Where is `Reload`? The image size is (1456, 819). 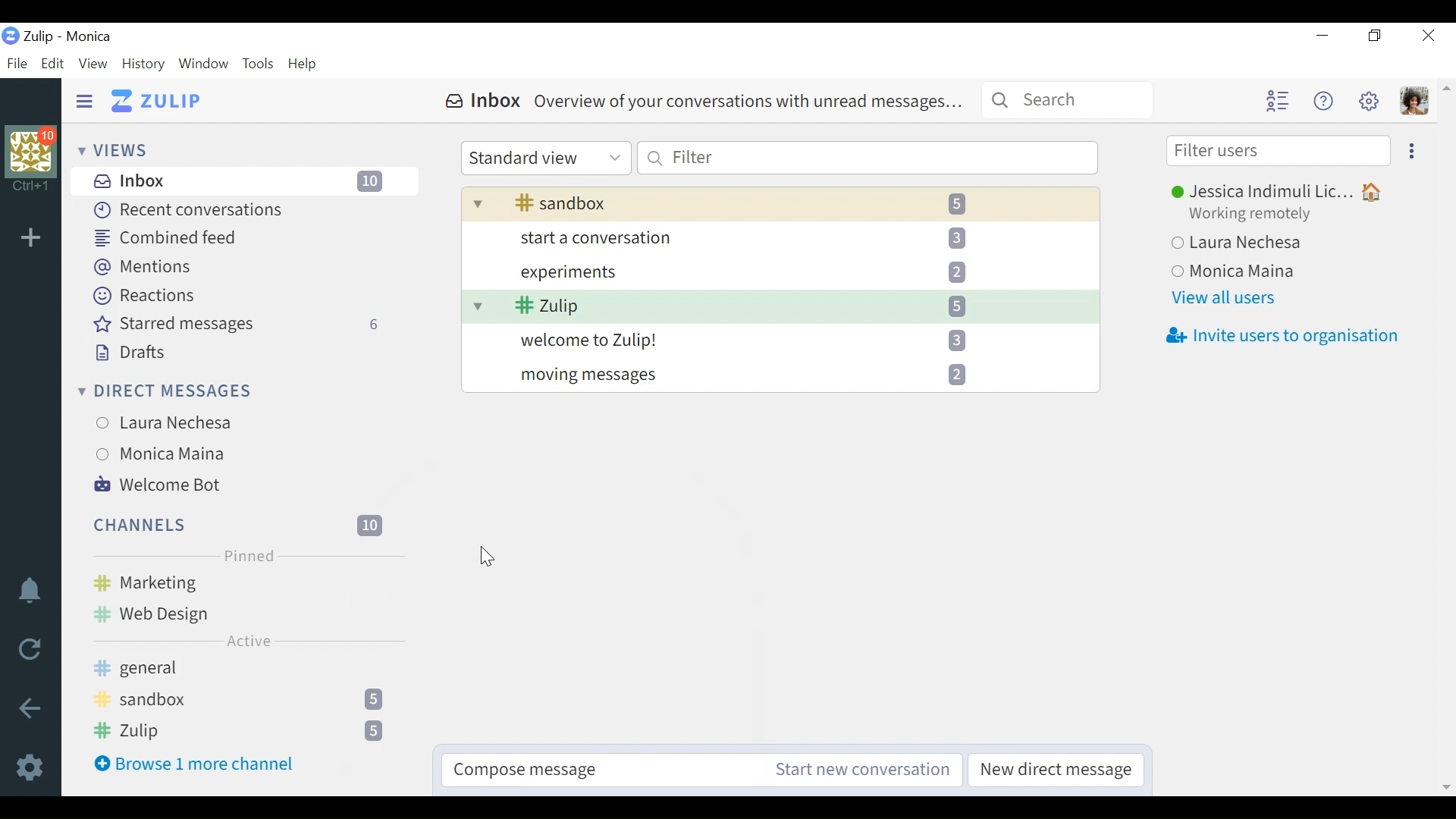 Reload is located at coordinates (35, 651).